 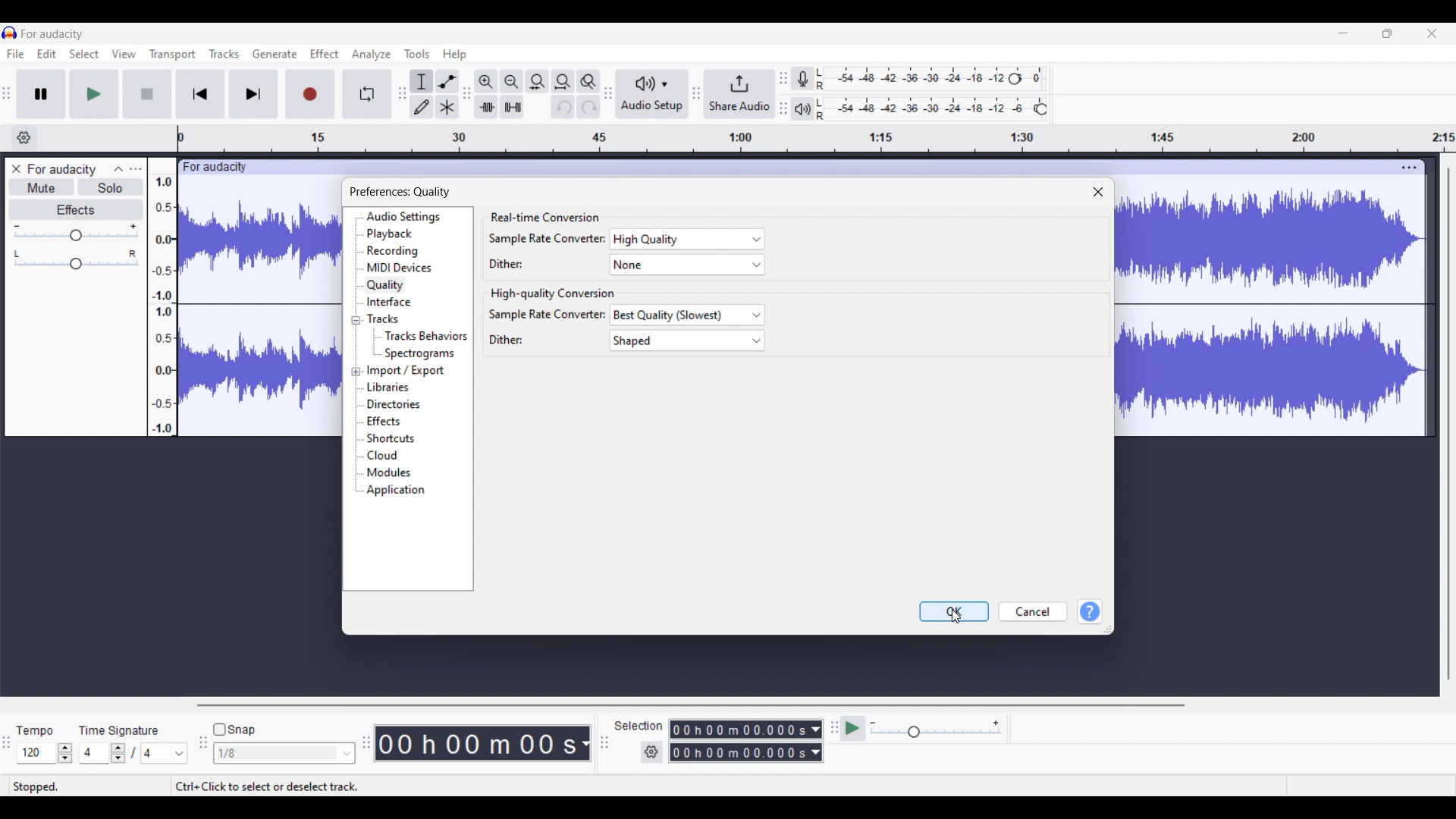 What do you see at coordinates (483, 743) in the screenshot?
I see `Current timestamp of track` at bounding box center [483, 743].